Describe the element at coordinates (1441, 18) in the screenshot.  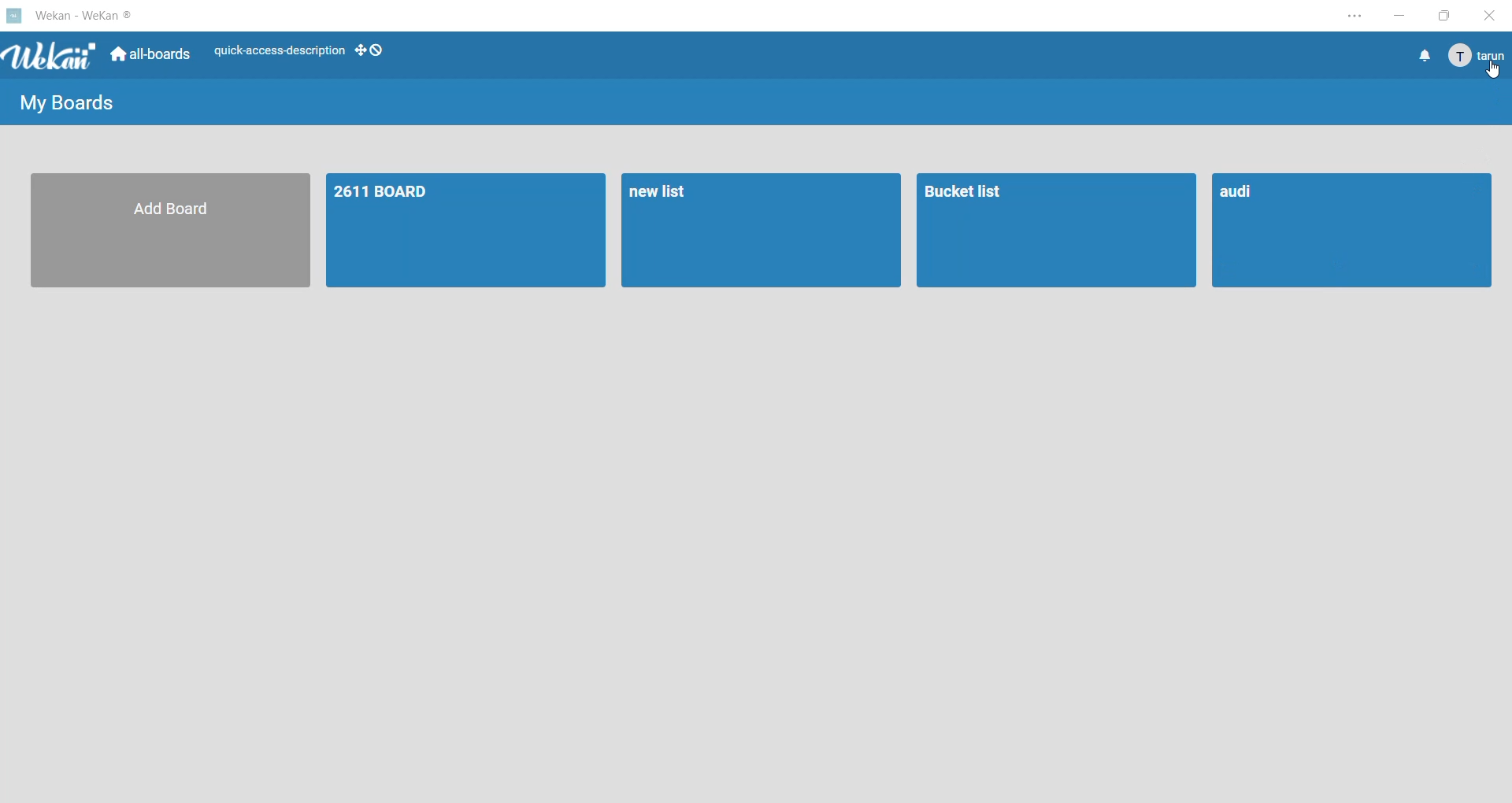
I see `maximize` at that location.